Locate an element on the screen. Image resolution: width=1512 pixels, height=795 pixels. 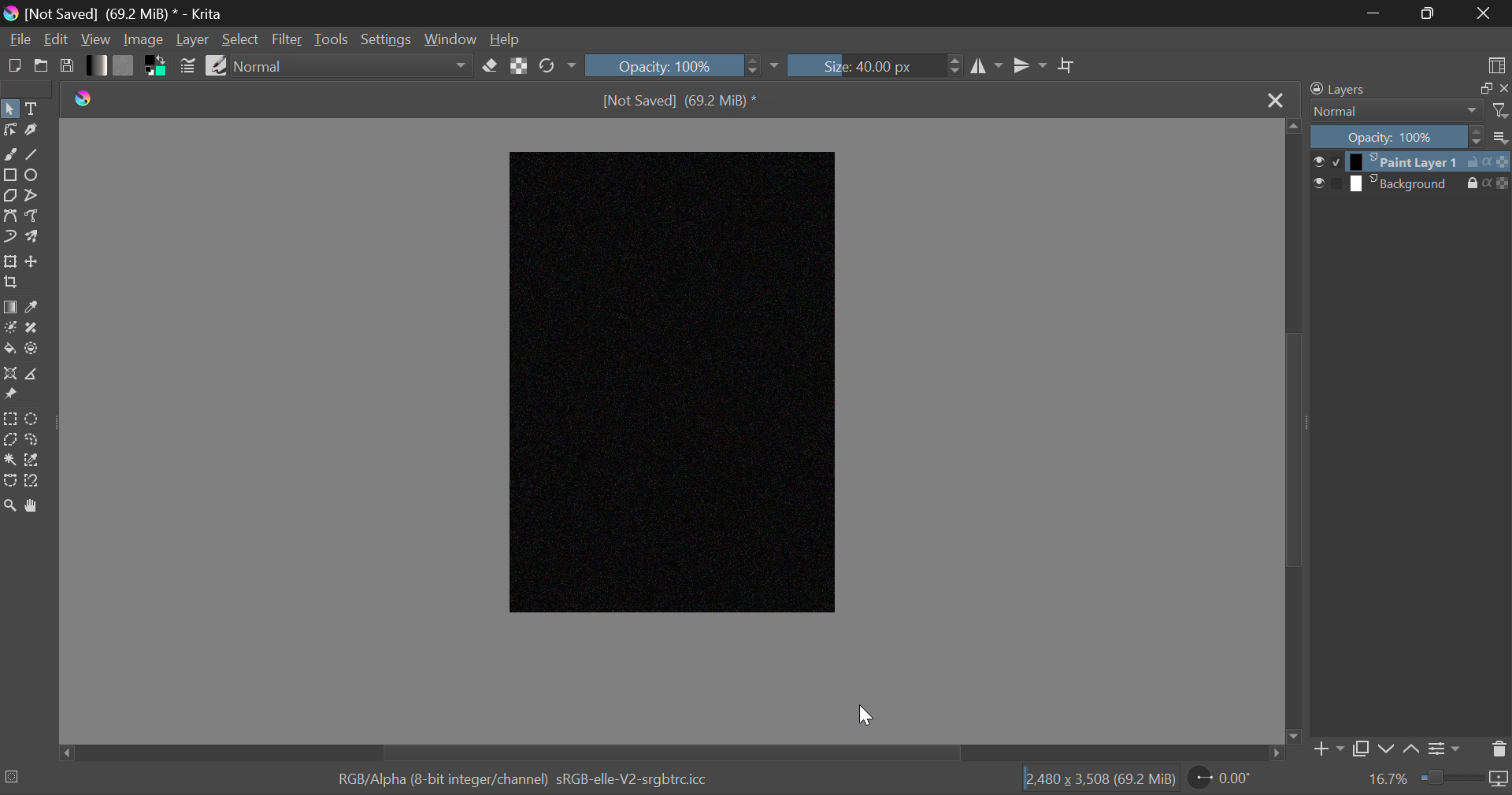
Help is located at coordinates (504, 40).